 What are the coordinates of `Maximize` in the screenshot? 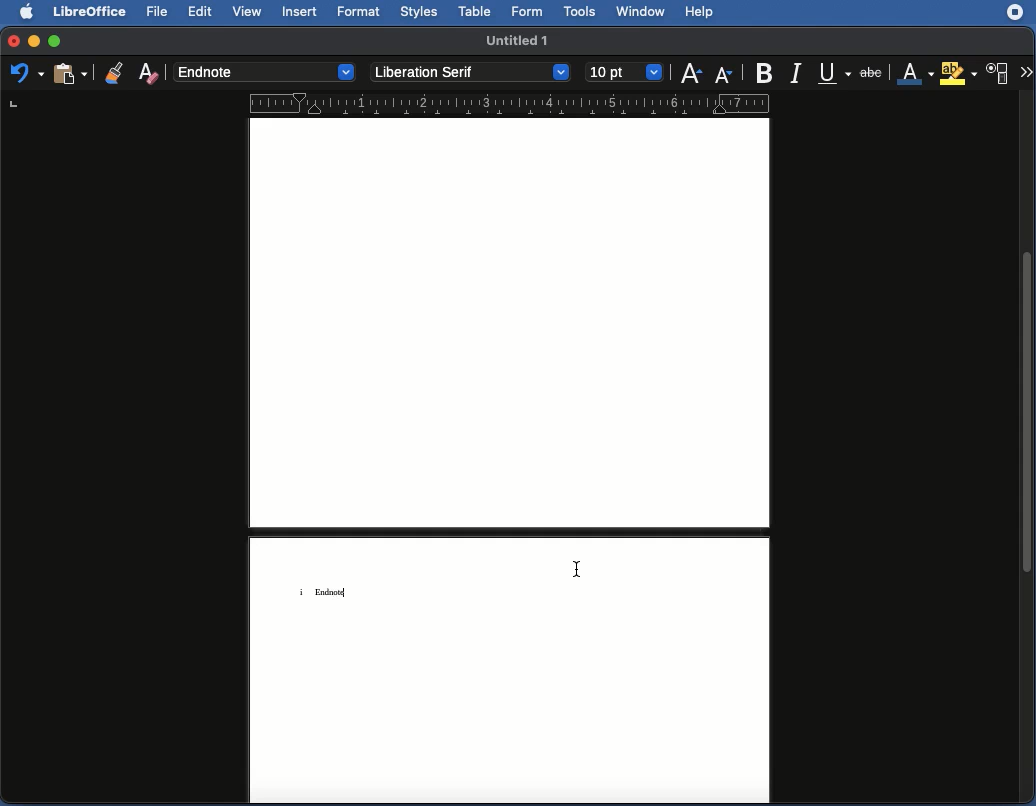 It's located at (54, 39).